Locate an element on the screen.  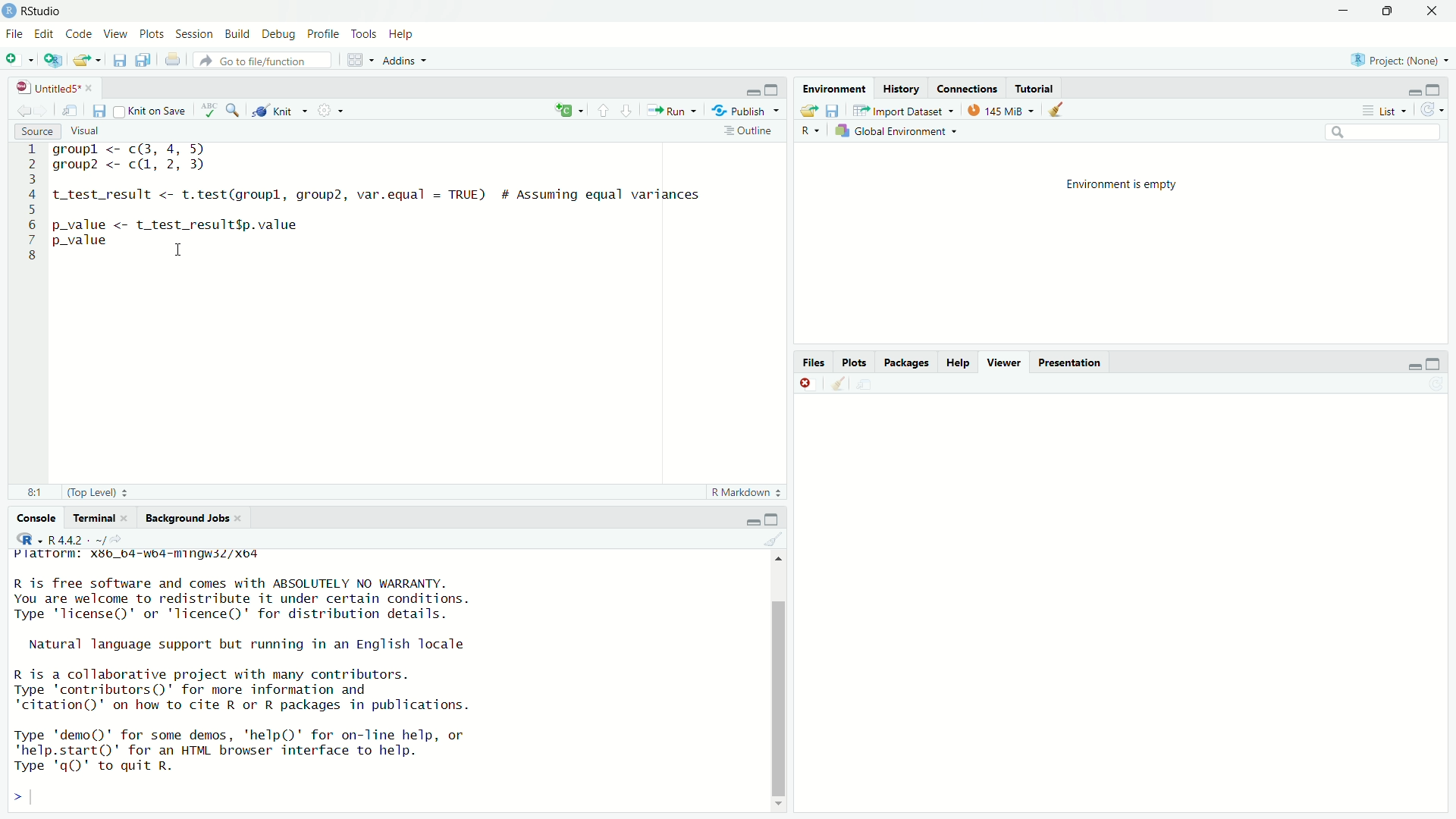
Help is located at coordinates (958, 362).